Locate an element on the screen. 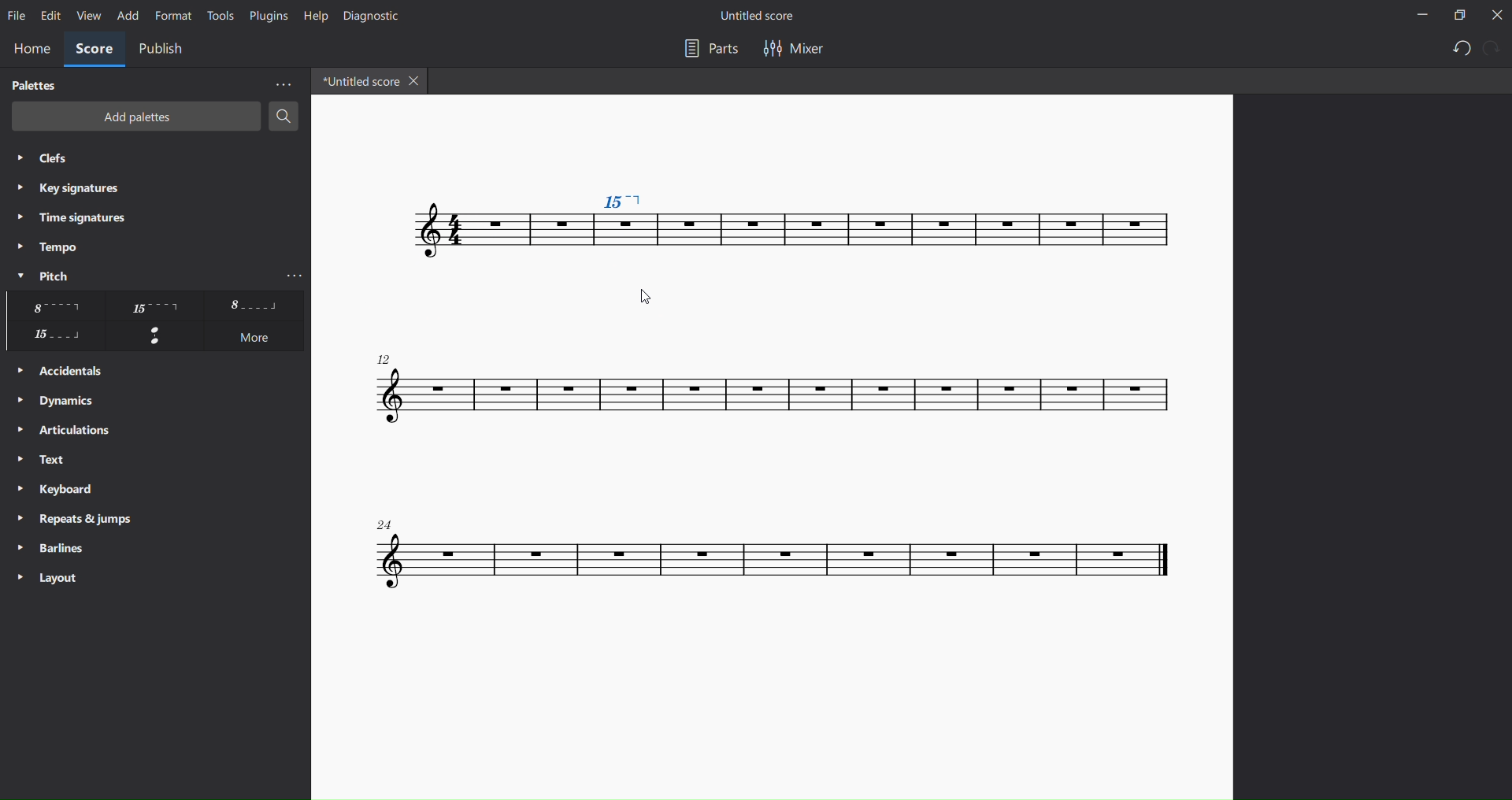  minimize is located at coordinates (1421, 16).